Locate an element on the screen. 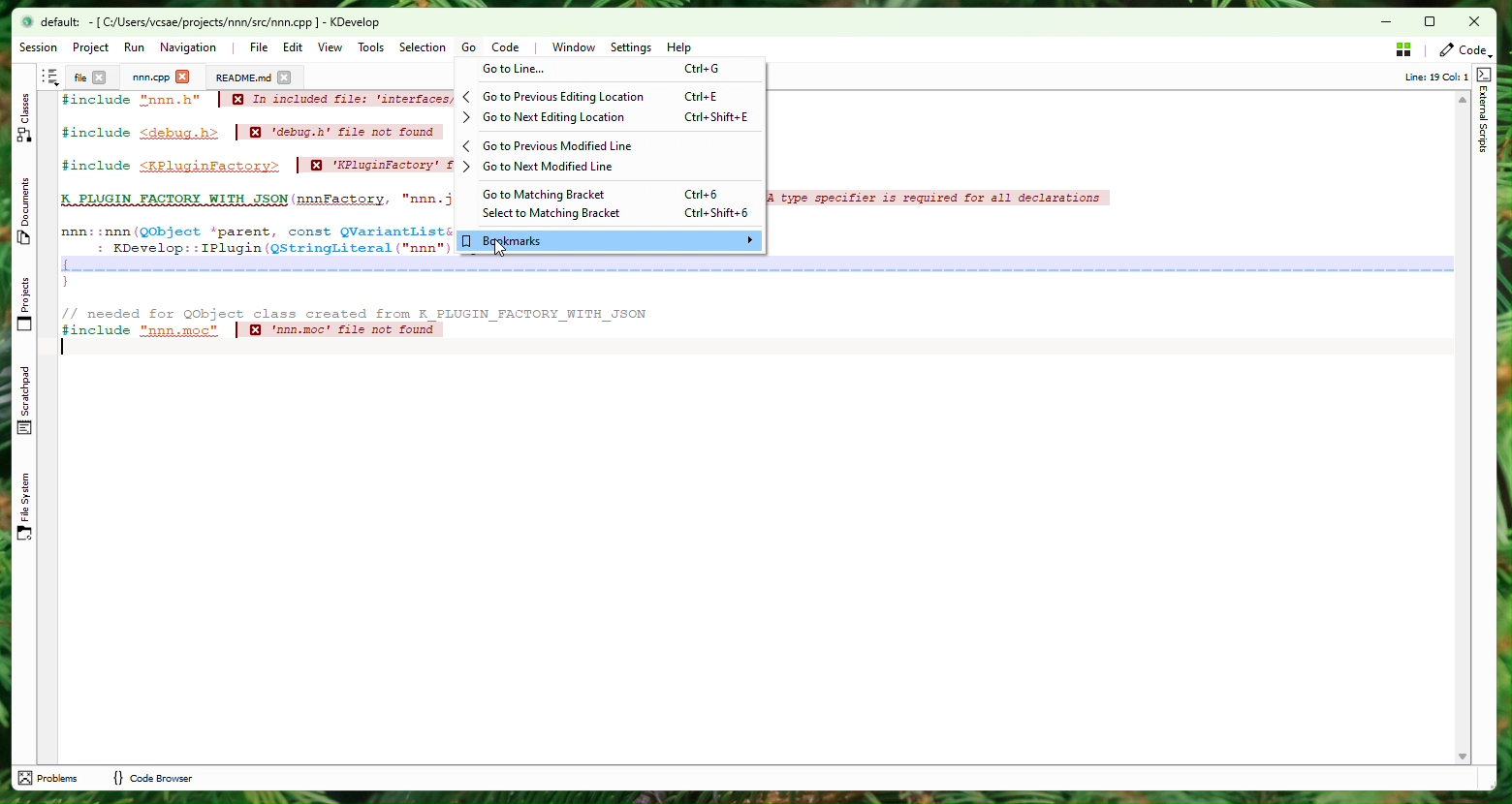  Documents is located at coordinates (27, 216).